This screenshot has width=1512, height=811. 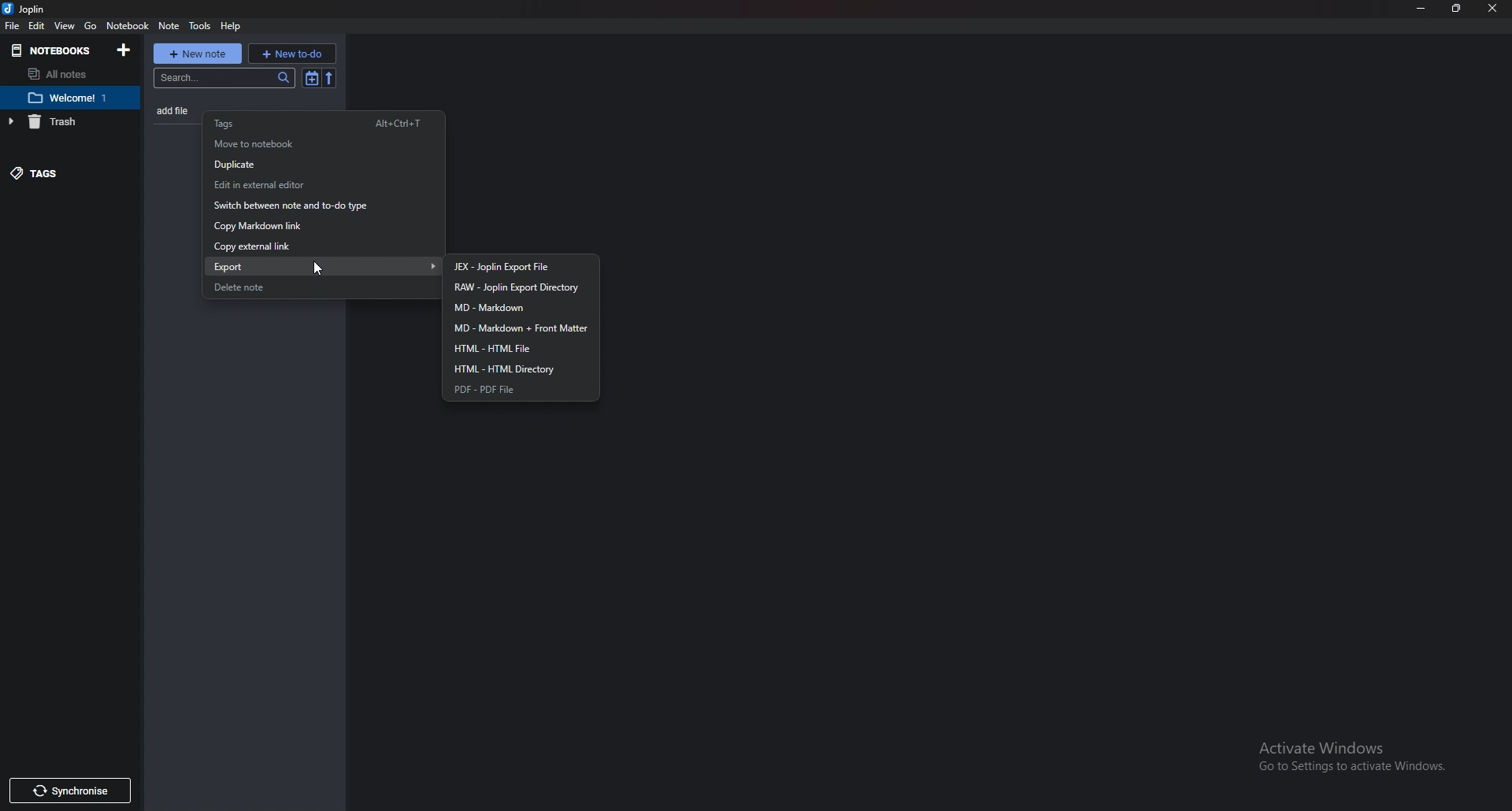 What do you see at coordinates (309, 79) in the screenshot?
I see `Toggle sort order` at bounding box center [309, 79].